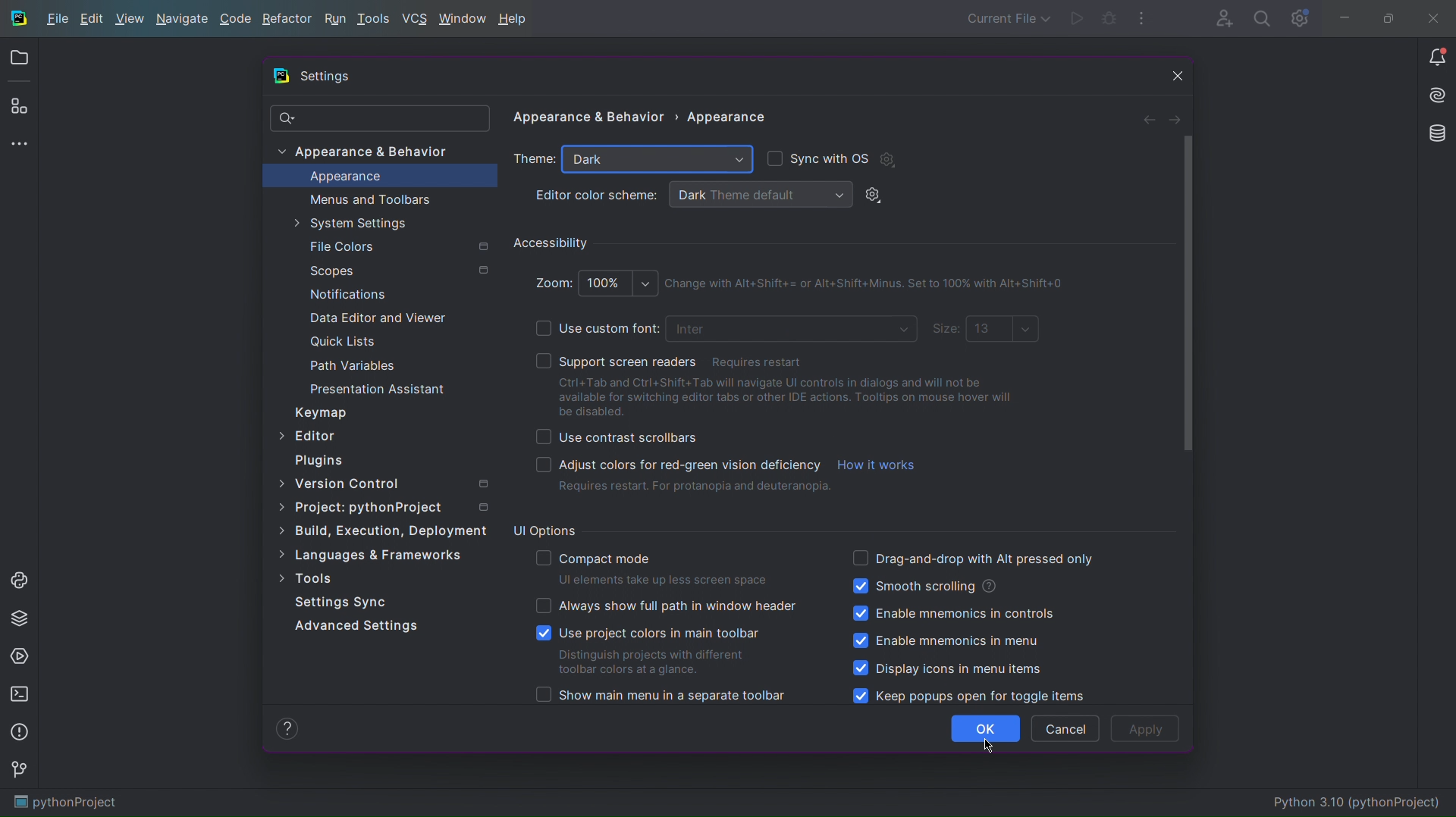 This screenshot has width=1456, height=817. What do you see at coordinates (1184, 293) in the screenshot?
I see `scrollbar` at bounding box center [1184, 293].